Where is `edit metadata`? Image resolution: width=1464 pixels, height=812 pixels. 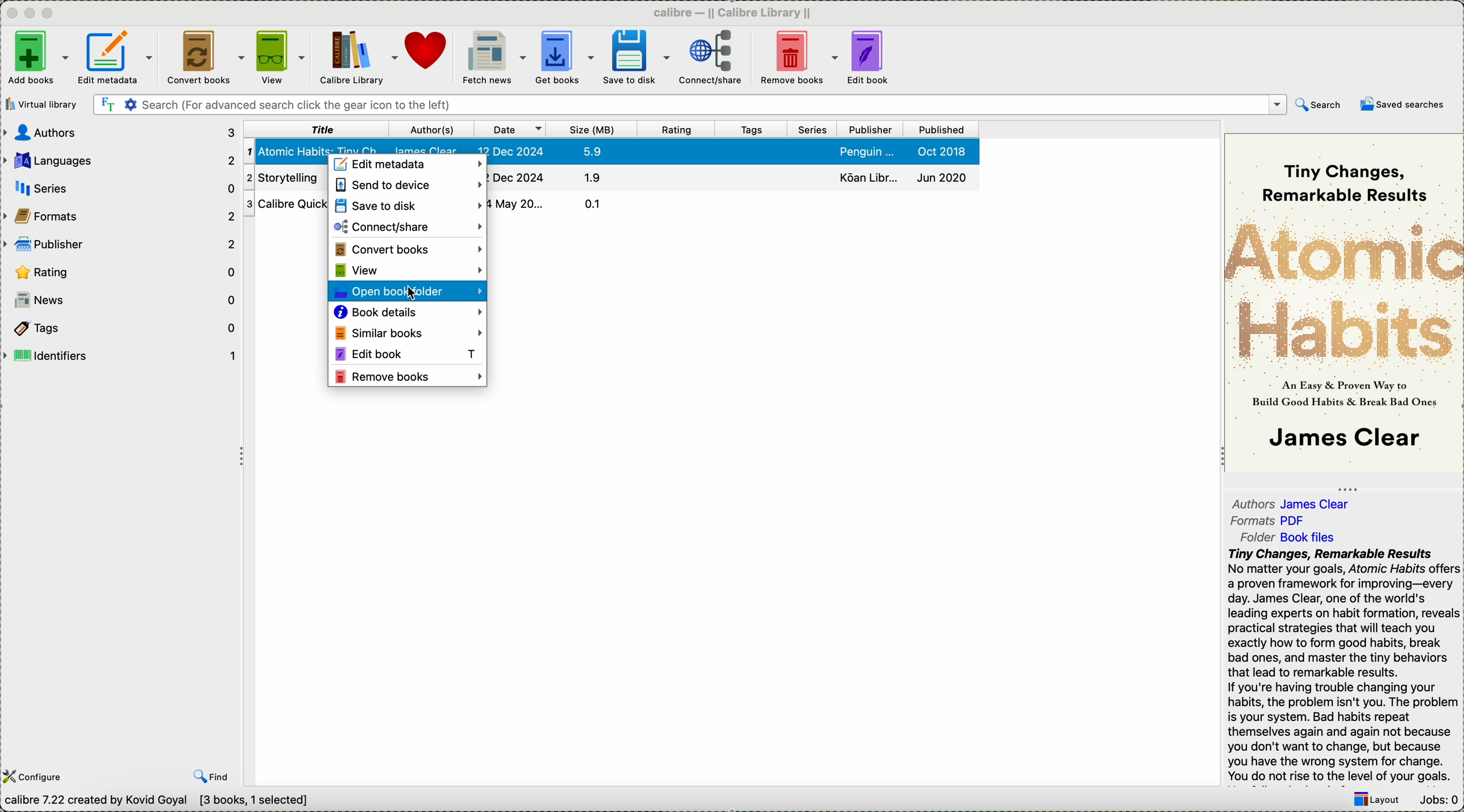
edit metadata is located at coordinates (409, 165).